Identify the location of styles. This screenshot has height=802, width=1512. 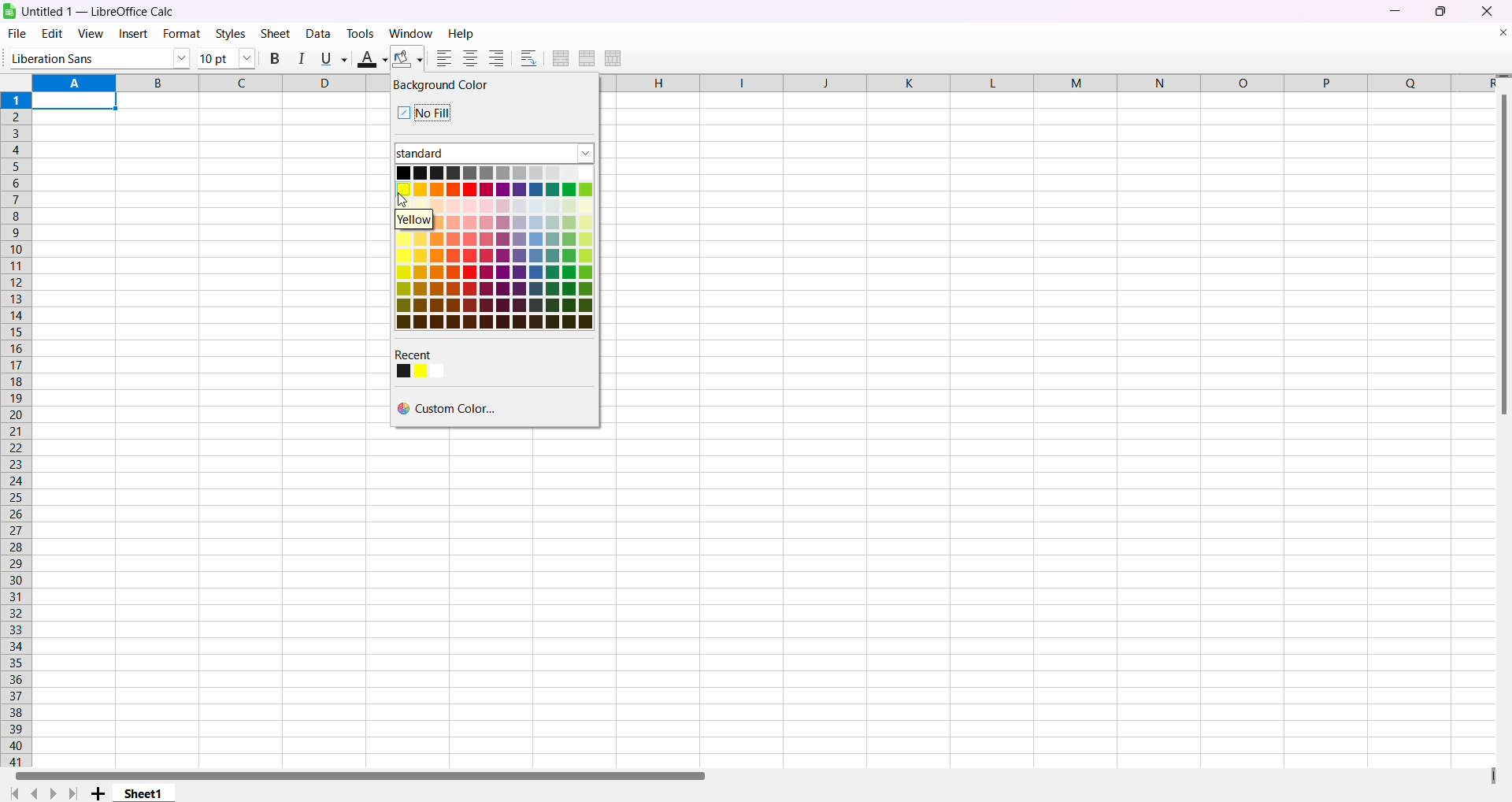
(229, 33).